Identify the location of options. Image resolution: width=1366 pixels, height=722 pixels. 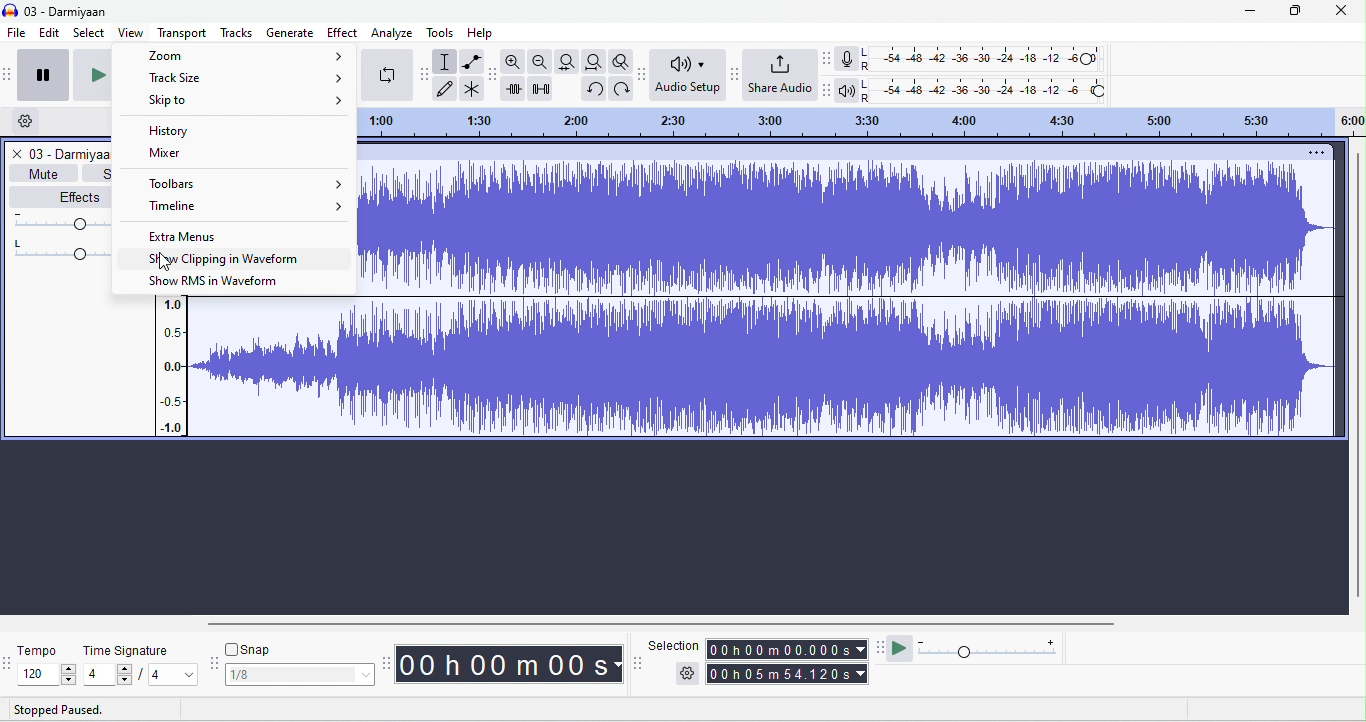
(1314, 154).